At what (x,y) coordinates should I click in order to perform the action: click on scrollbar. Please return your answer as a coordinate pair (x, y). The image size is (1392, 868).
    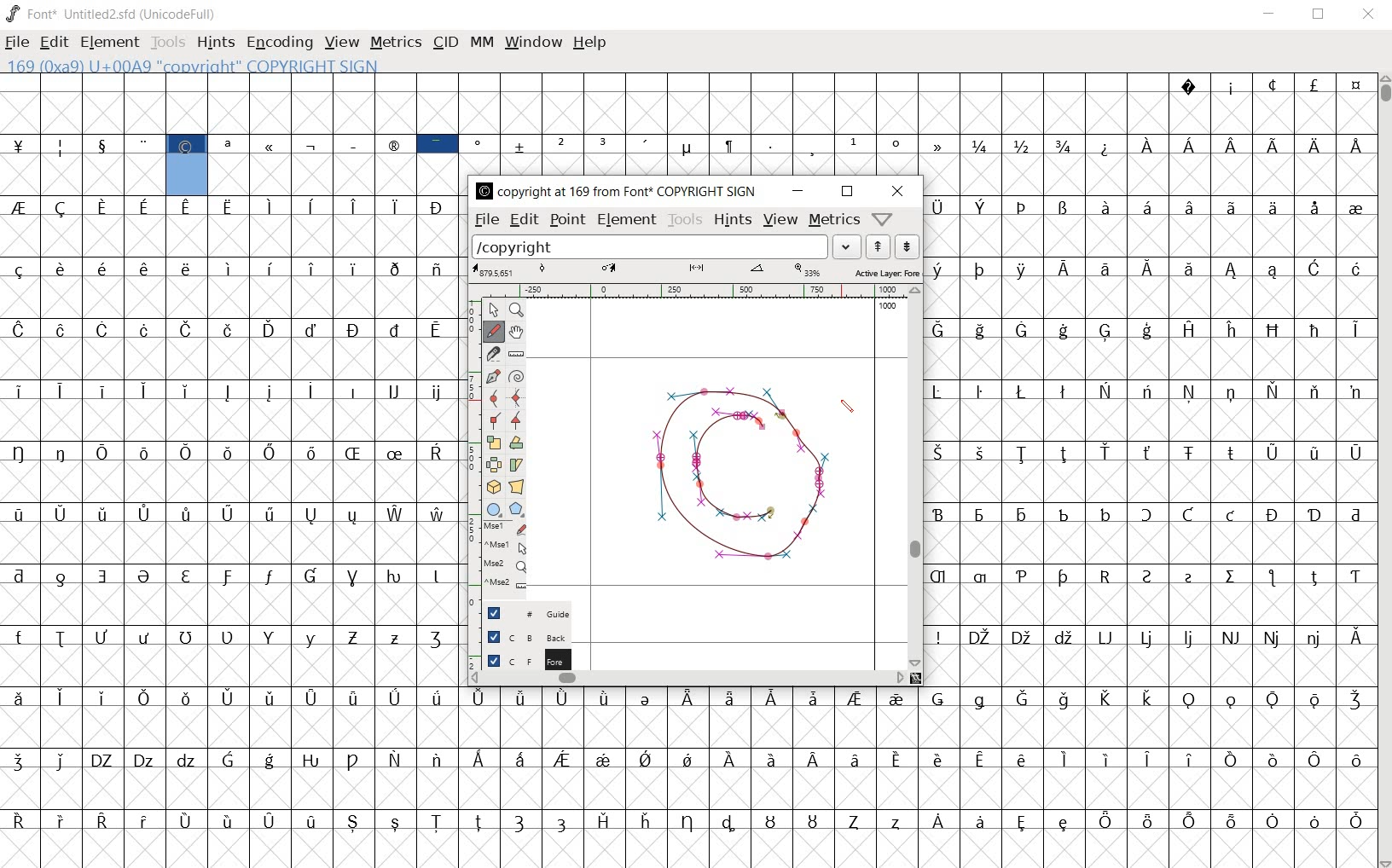
    Looking at the image, I should click on (687, 677).